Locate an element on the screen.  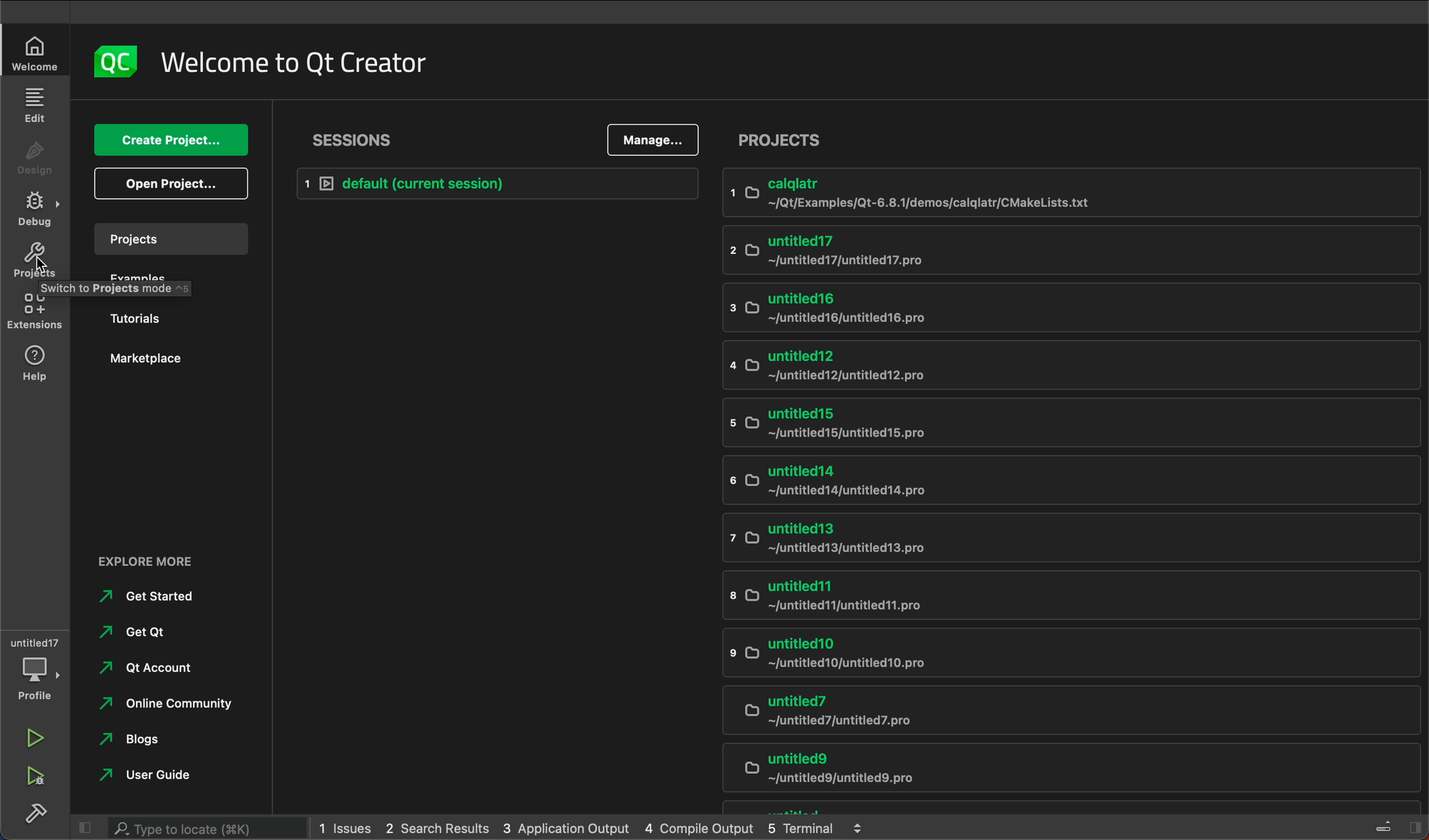
name is located at coordinates (293, 60).